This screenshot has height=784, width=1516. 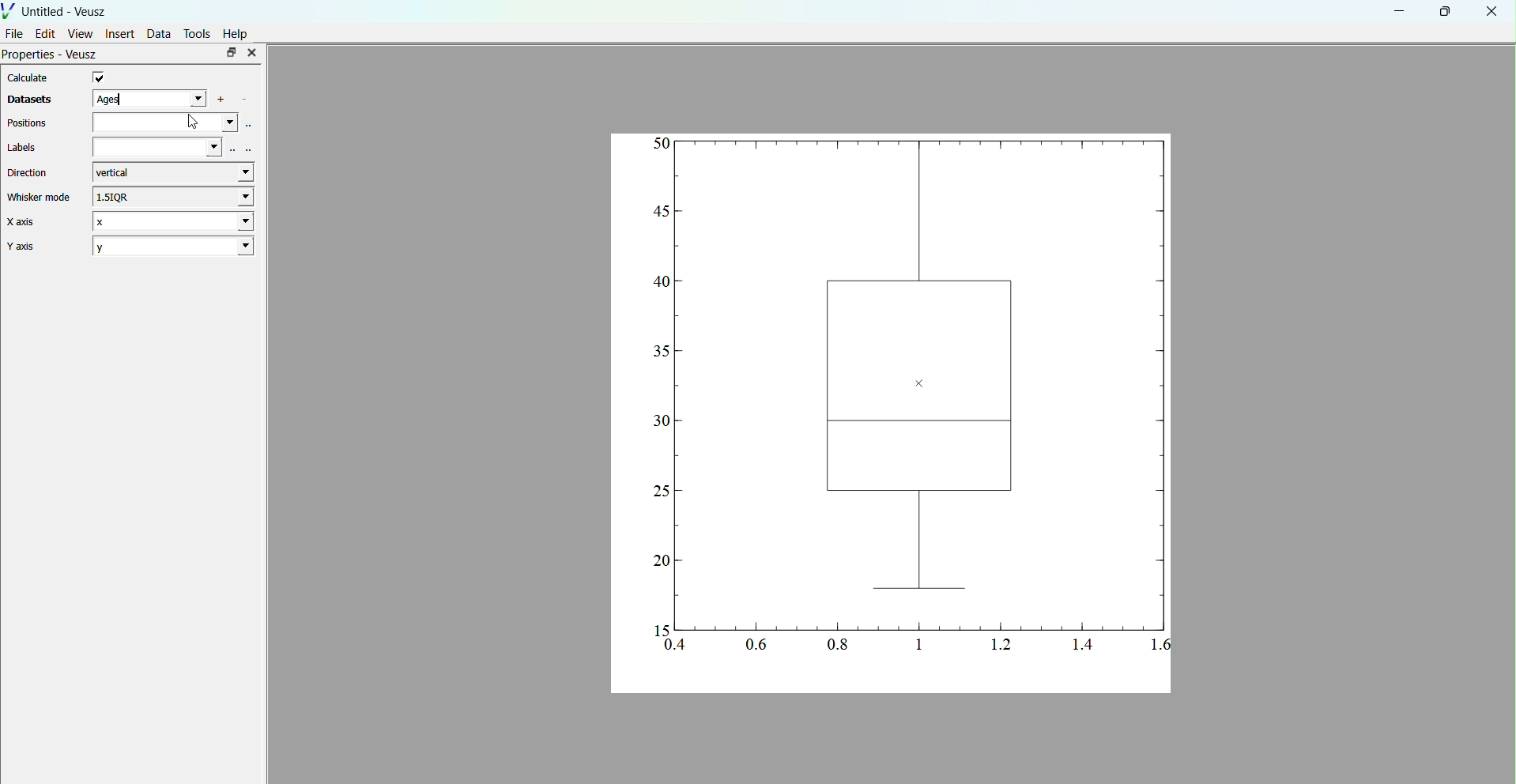 What do you see at coordinates (46, 33) in the screenshot?
I see `Edit` at bounding box center [46, 33].